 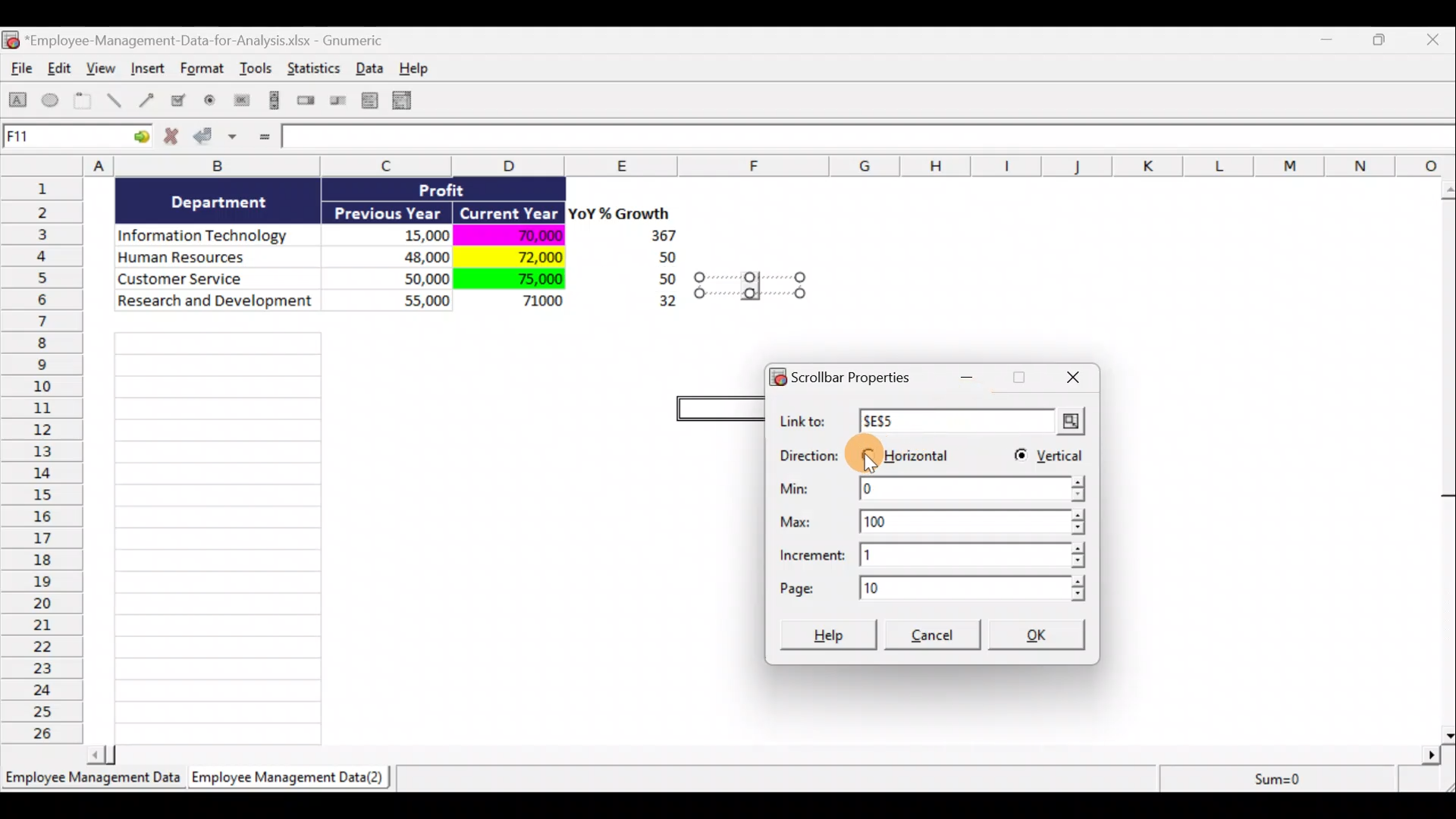 I want to click on Link to, so click(x=937, y=422).